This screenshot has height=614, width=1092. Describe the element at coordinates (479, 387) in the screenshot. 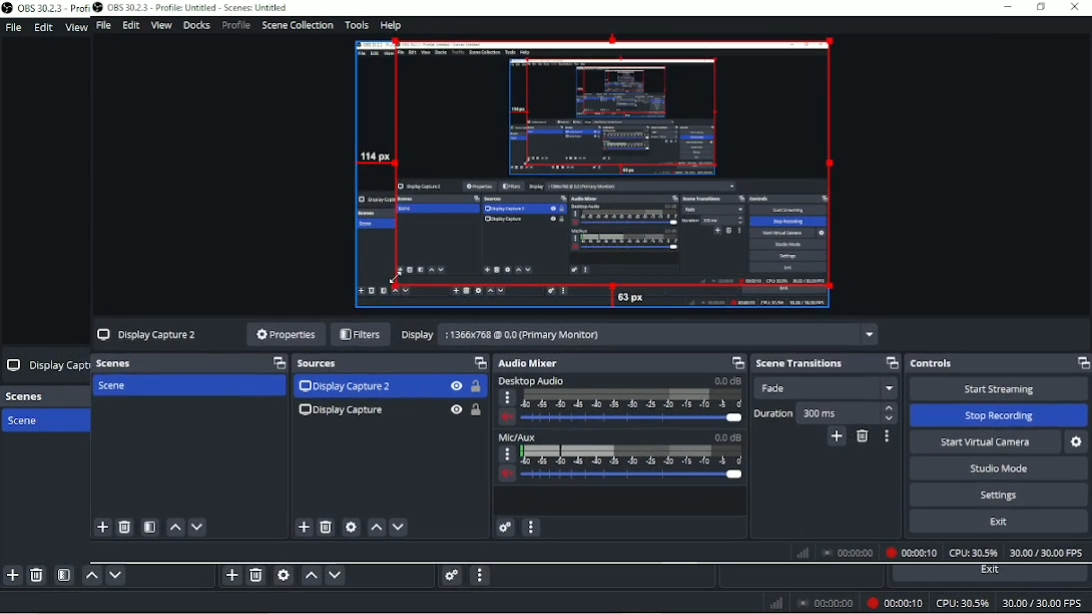

I see `Lock` at that location.